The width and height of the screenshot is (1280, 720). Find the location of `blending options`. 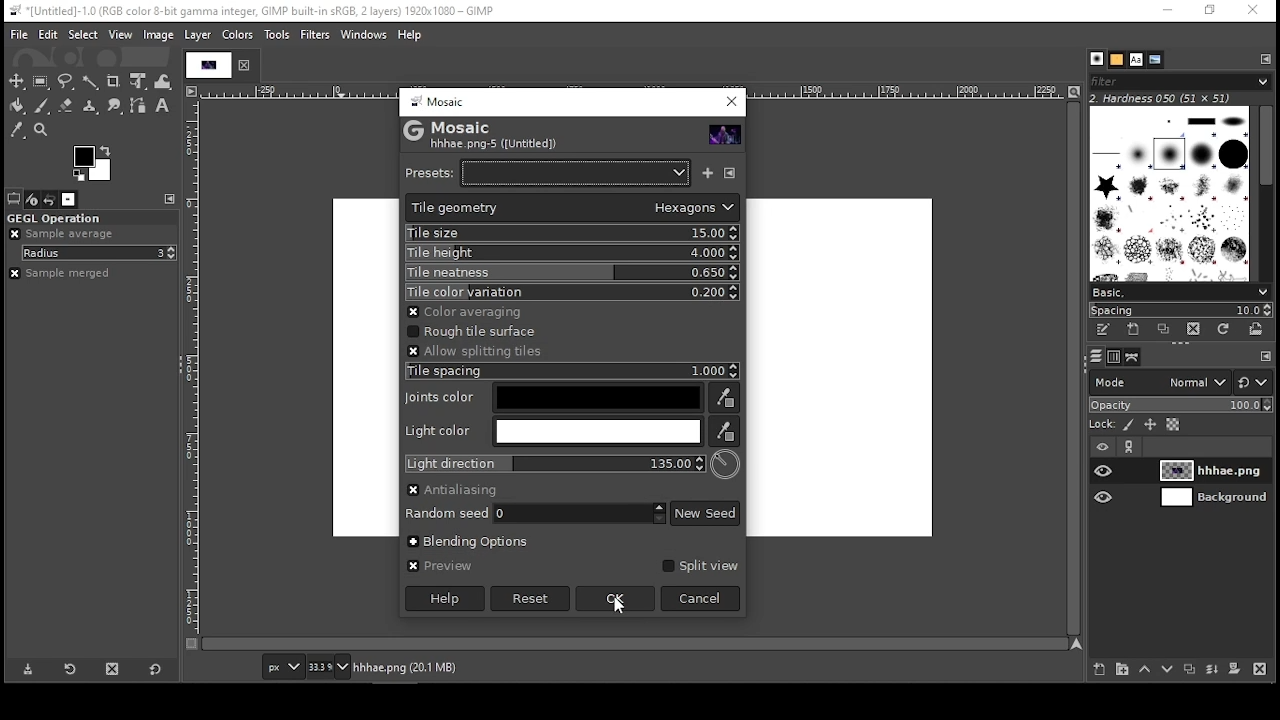

blending options is located at coordinates (472, 542).